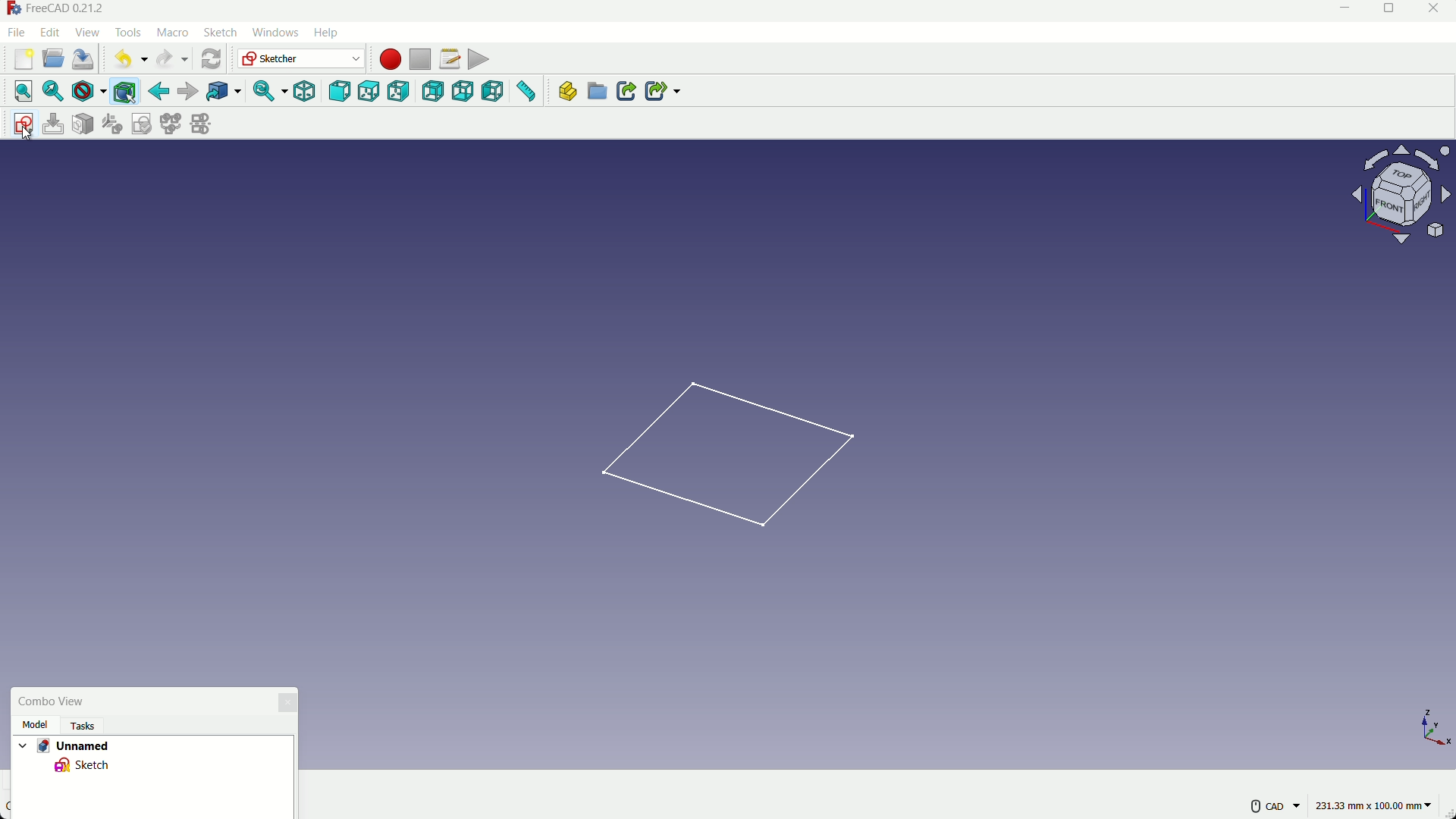  What do you see at coordinates (221, 93) in the screenshot?
I see `link to the object` at bounding box center [221, 93].